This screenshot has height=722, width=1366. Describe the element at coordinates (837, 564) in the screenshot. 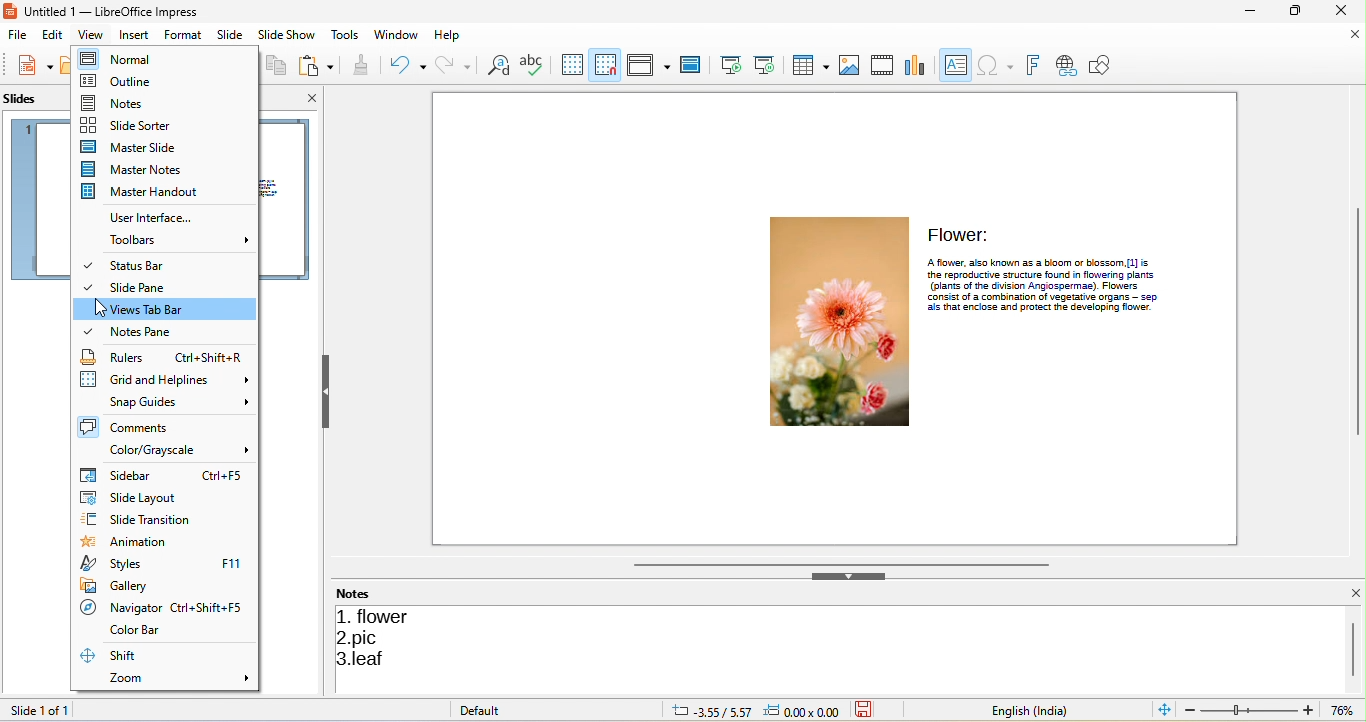

I see `horizontal scroll bar` at that location.